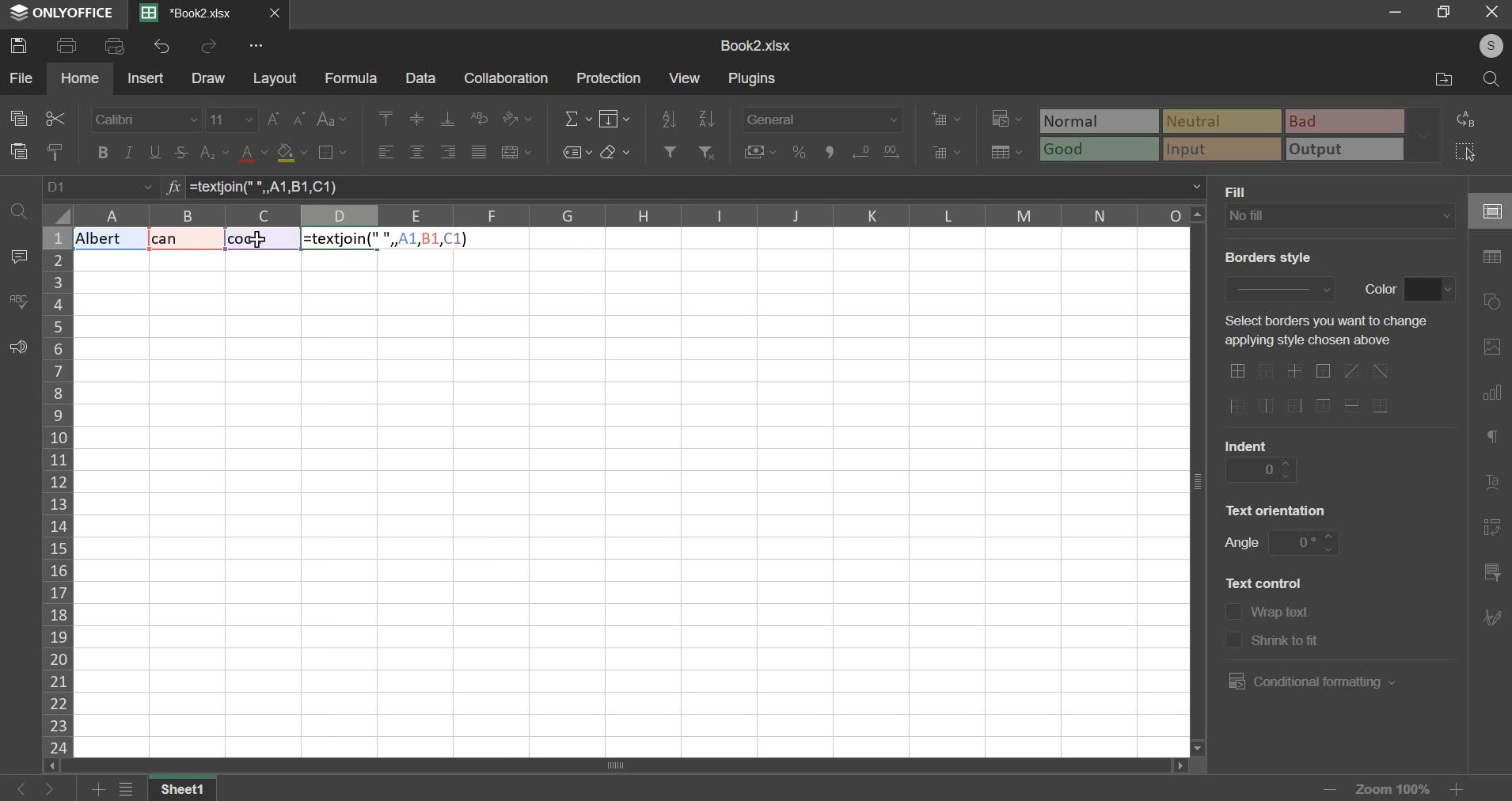  Describe the element at coordinates (1380, 287) in the screenshot. I see `text` at that location.